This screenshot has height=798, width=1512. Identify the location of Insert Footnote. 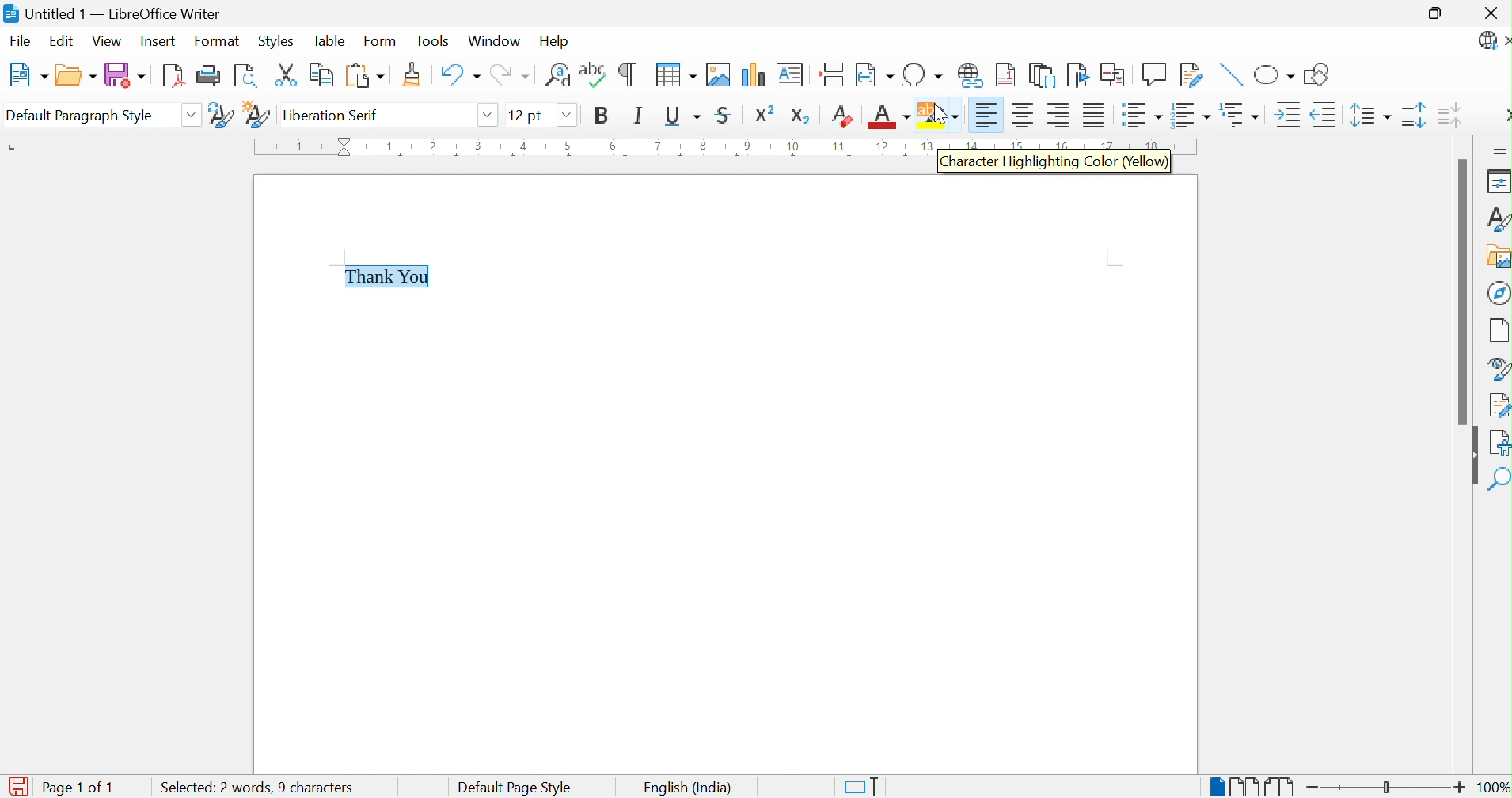
(1006, 75).